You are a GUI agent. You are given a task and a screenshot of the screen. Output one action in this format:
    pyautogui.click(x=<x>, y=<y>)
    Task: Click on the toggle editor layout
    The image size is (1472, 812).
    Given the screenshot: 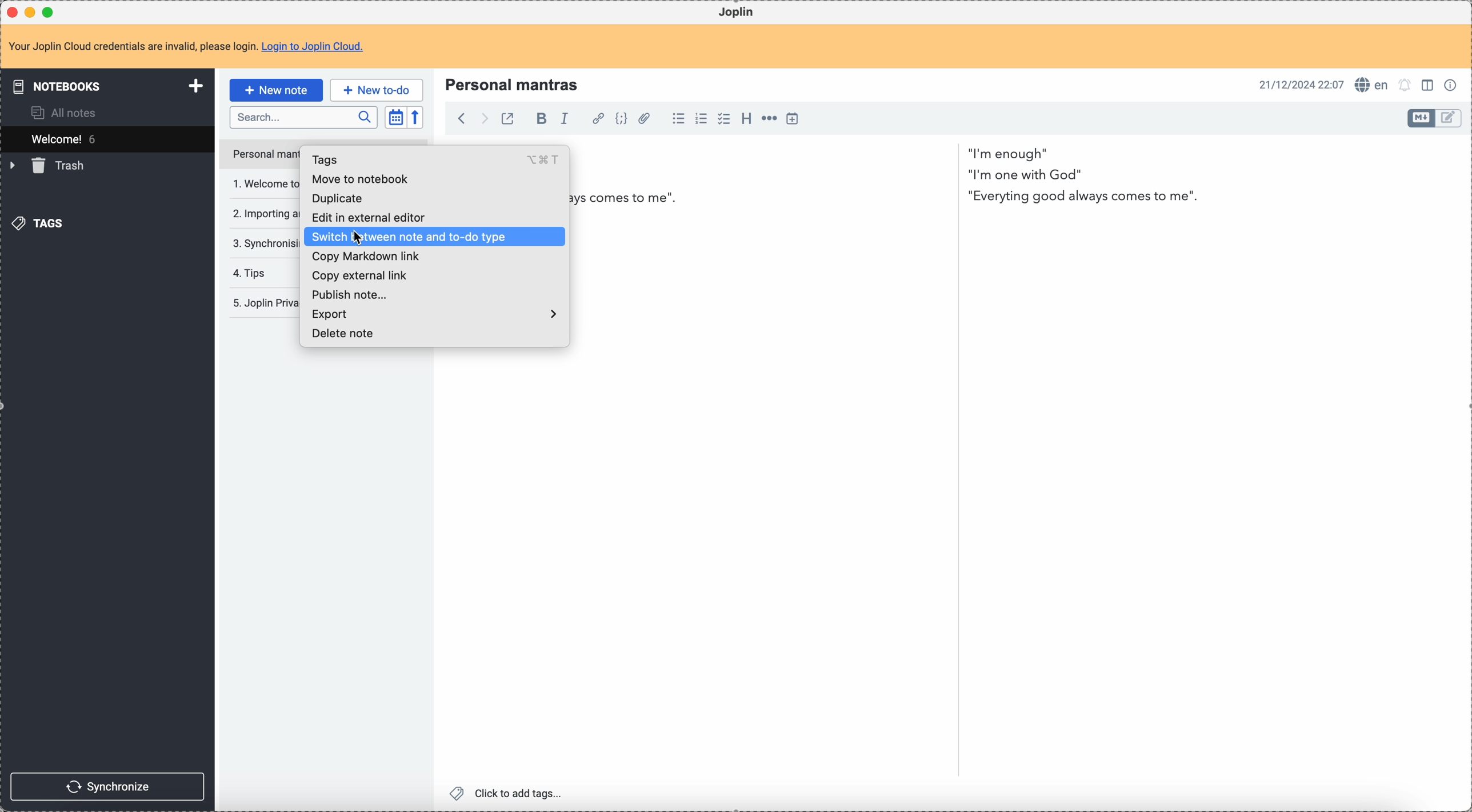 What is the action you would take?
    pyautogui.click(x=1450, y=117)
    